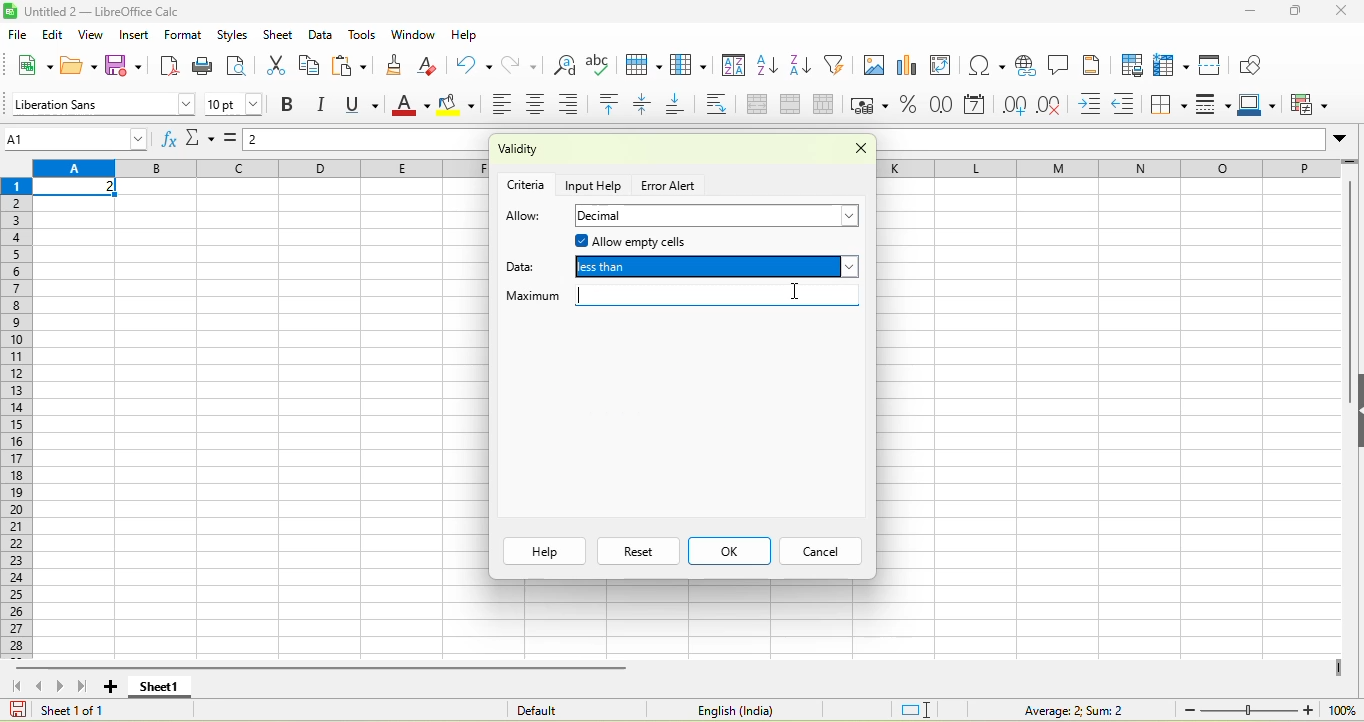 The image size is (1364, 722). I want to click on scroll top last sheet, so click(86, 686).